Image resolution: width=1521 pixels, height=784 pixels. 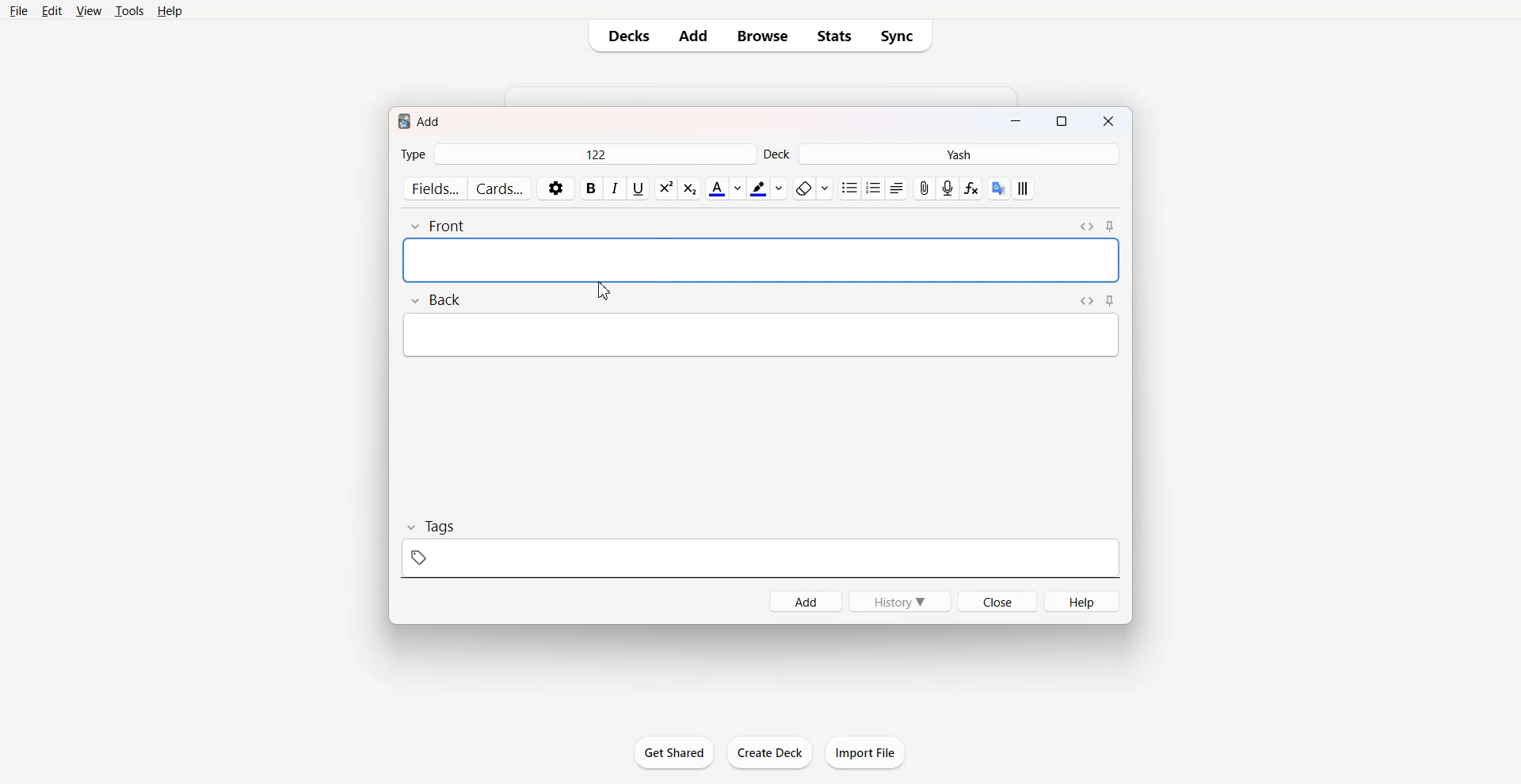 I want to click on Settings, so click(x=556, y=188).